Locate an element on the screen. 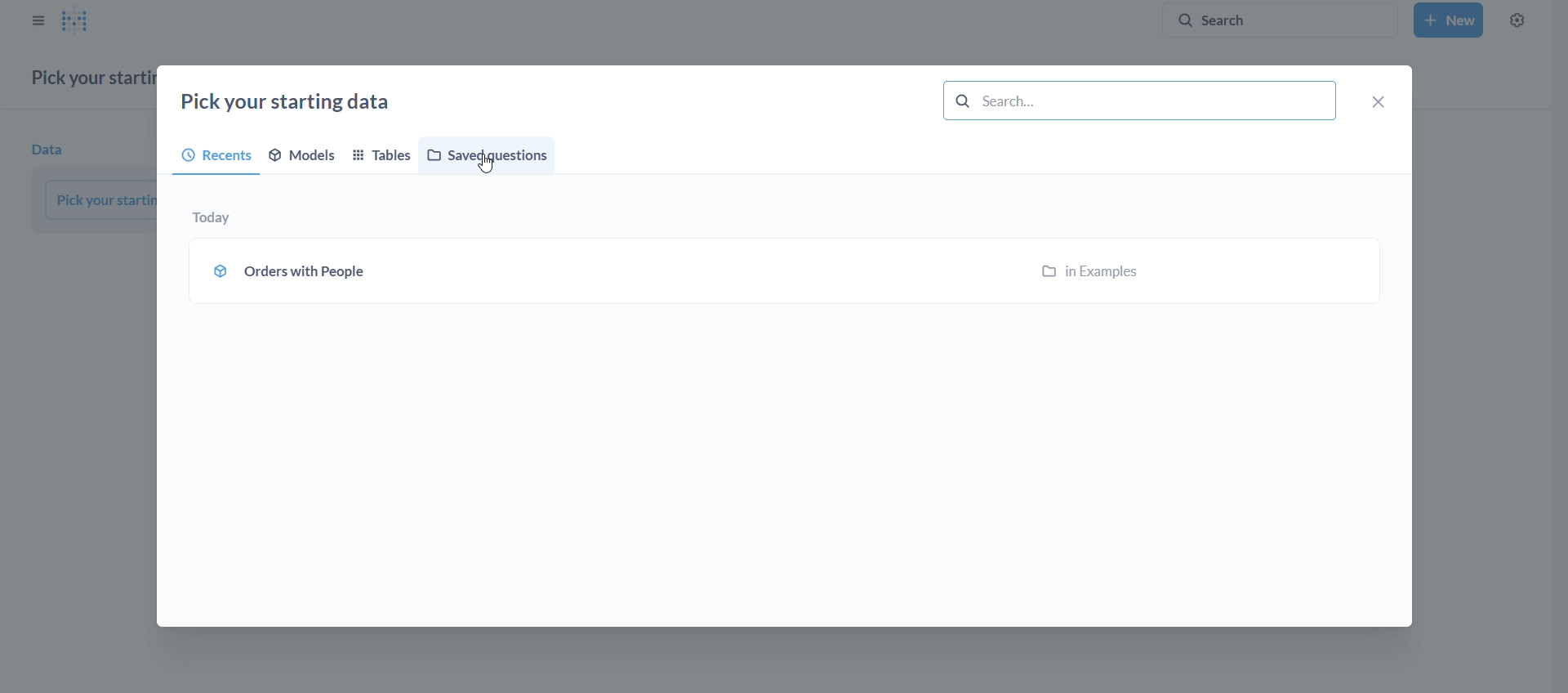  logo is located at coordinates (82, 21).